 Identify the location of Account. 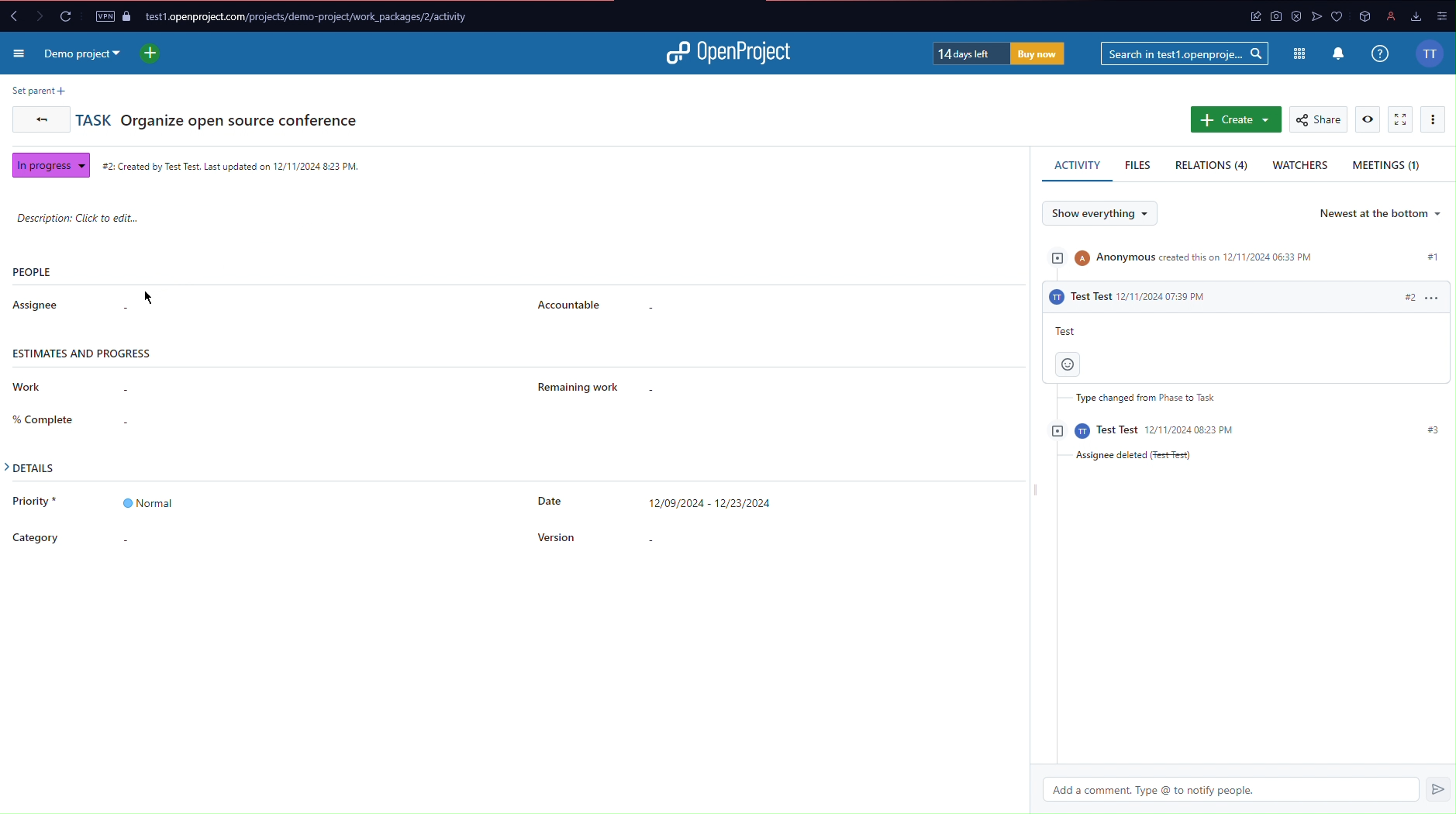
(1432, 52).